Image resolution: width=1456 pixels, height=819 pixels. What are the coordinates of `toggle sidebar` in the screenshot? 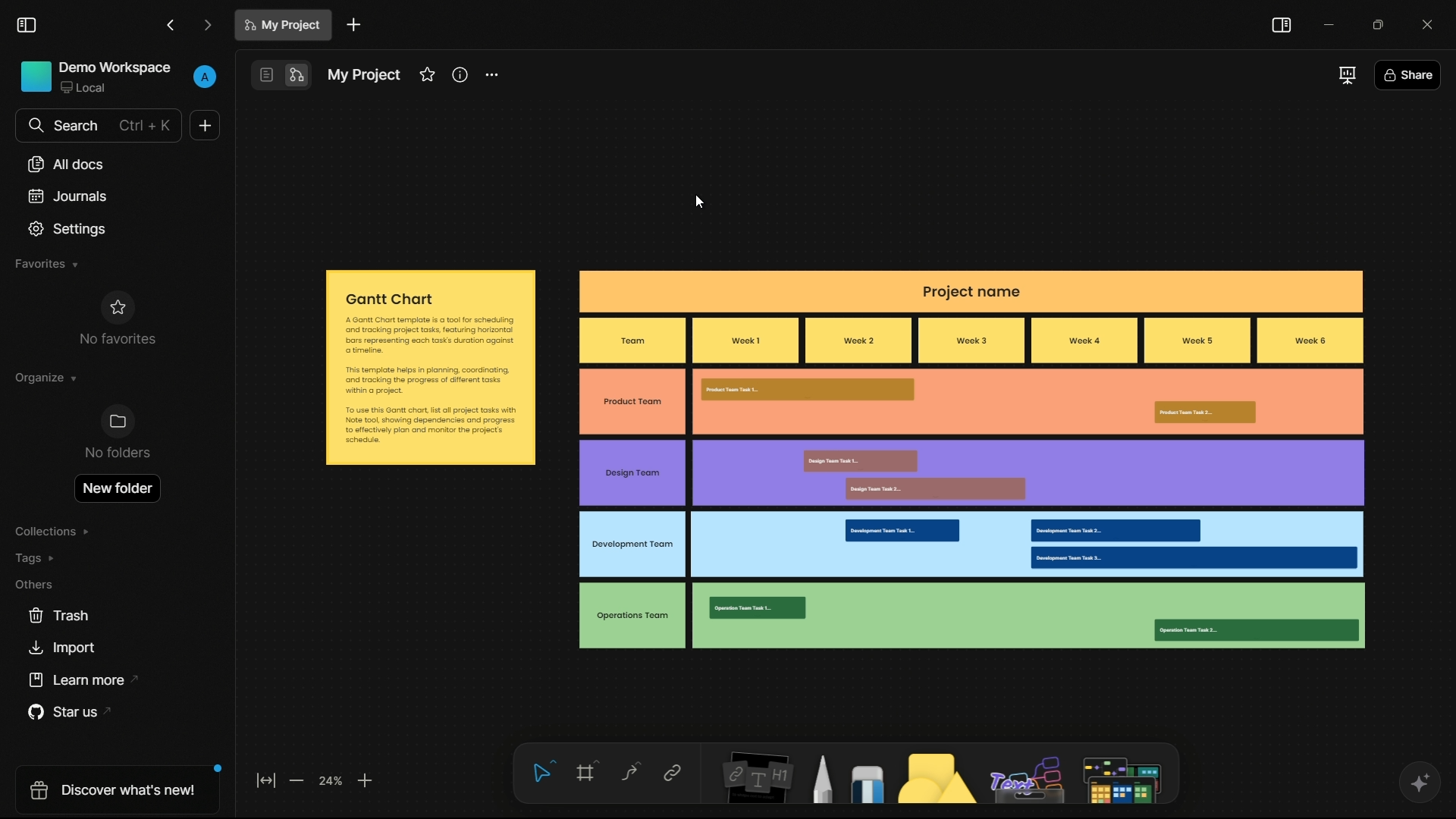 It's located at (1282, 27).